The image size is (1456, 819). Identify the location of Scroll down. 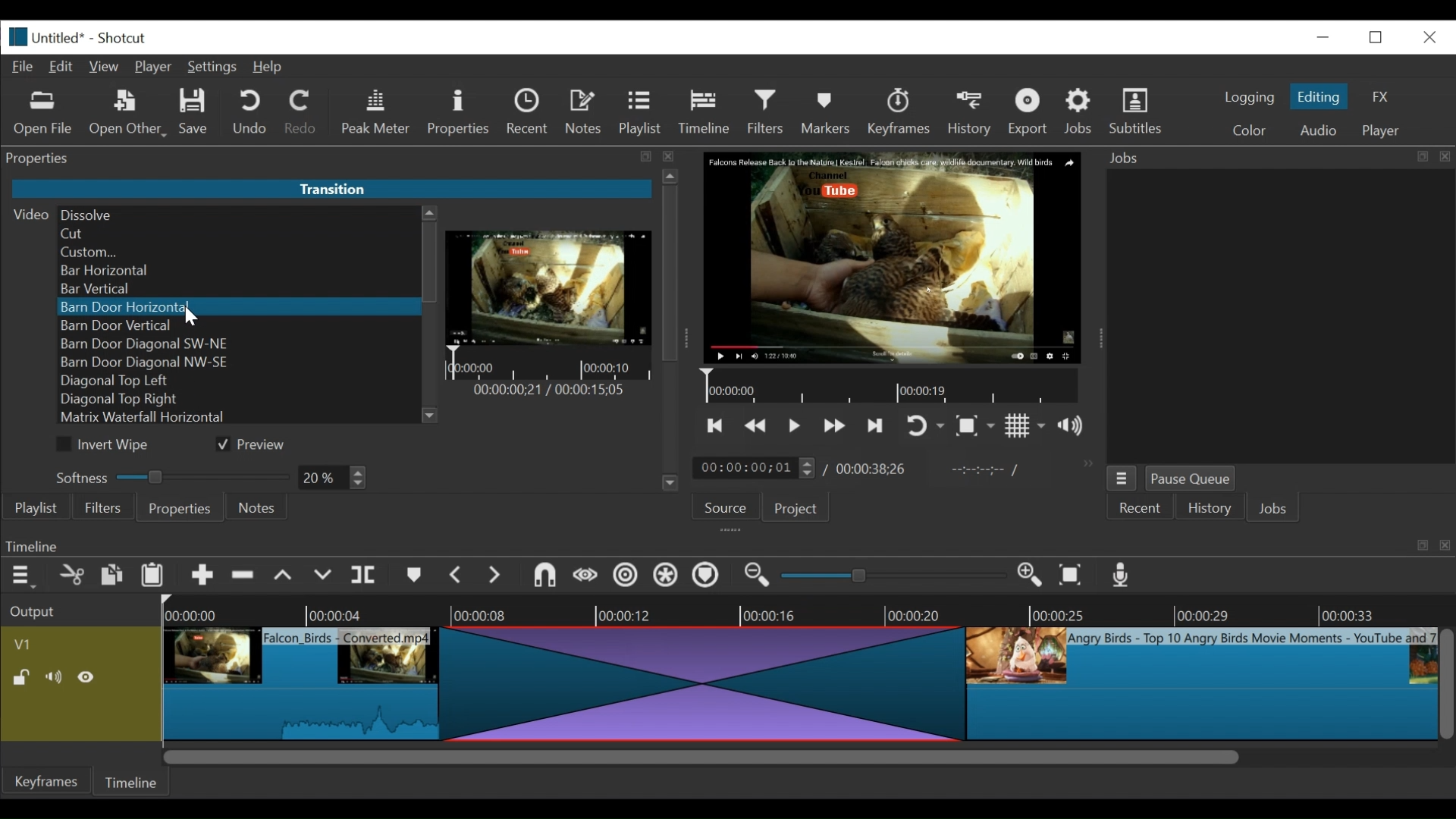
(670, 486).